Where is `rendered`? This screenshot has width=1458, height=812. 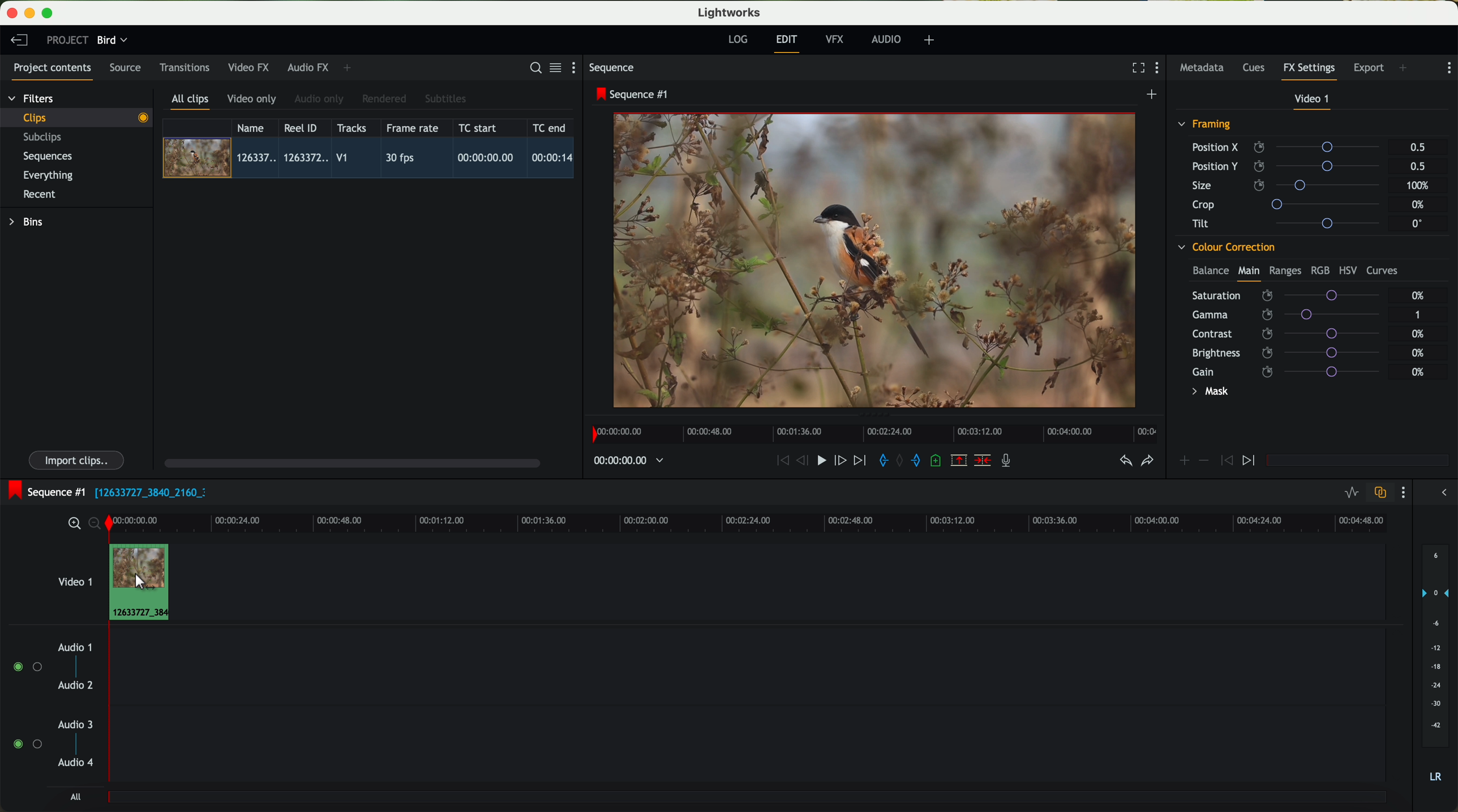
rendered is located at coordinates (385, 100).